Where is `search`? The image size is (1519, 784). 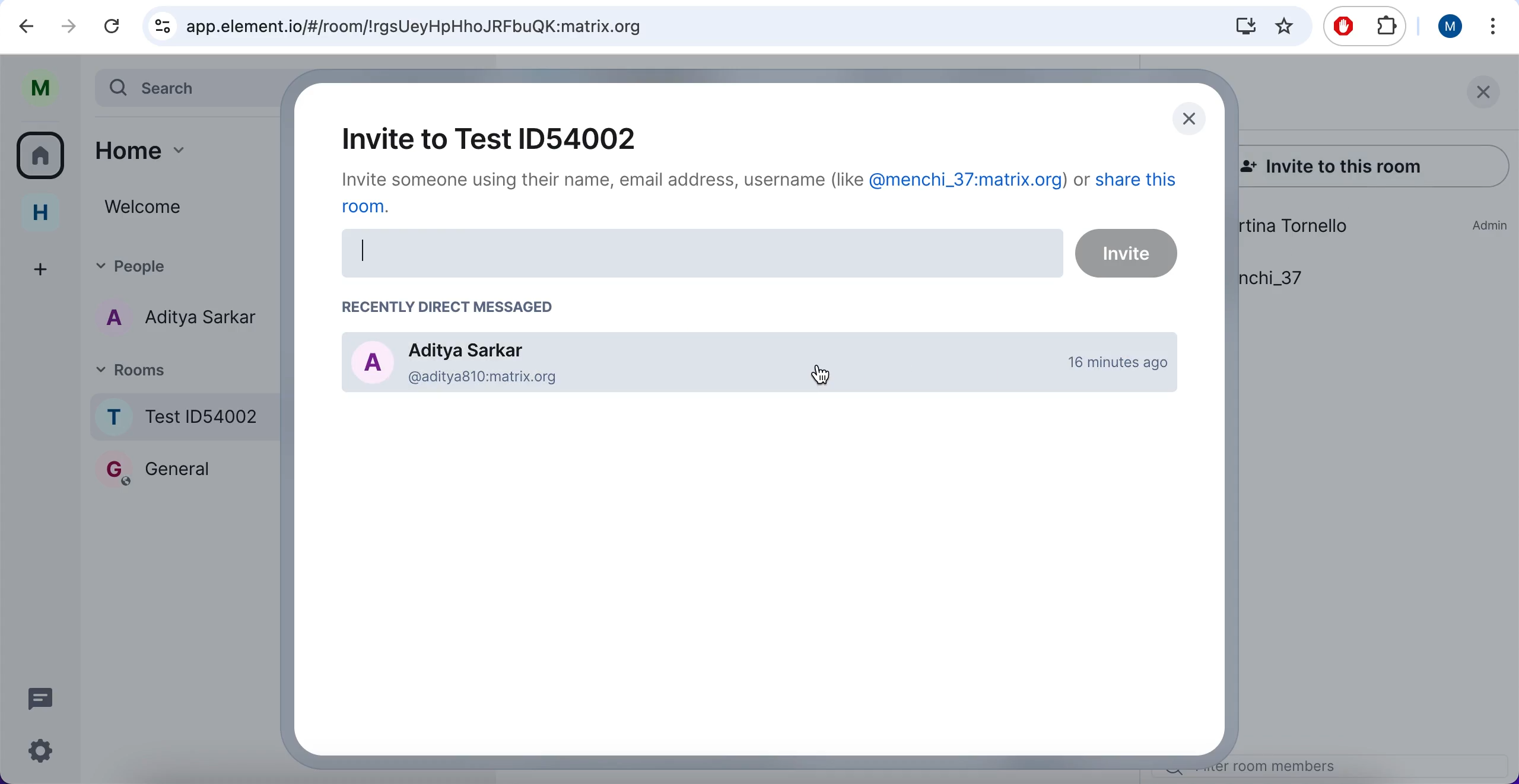 search is located at coordinates (184, 91).